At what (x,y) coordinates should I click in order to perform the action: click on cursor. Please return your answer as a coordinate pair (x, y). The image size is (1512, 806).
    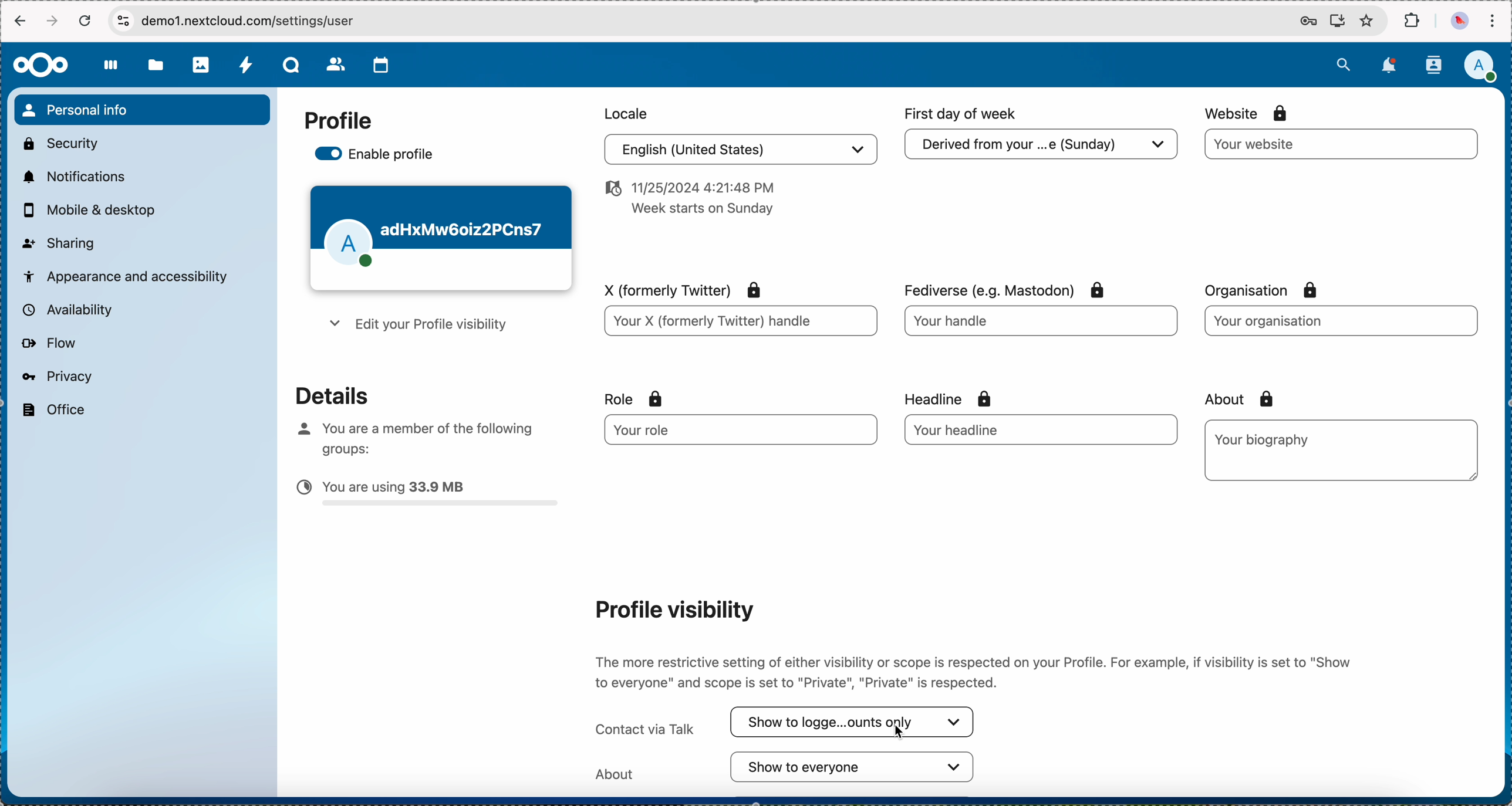
    Looking at the image, I should click on (901, 730).